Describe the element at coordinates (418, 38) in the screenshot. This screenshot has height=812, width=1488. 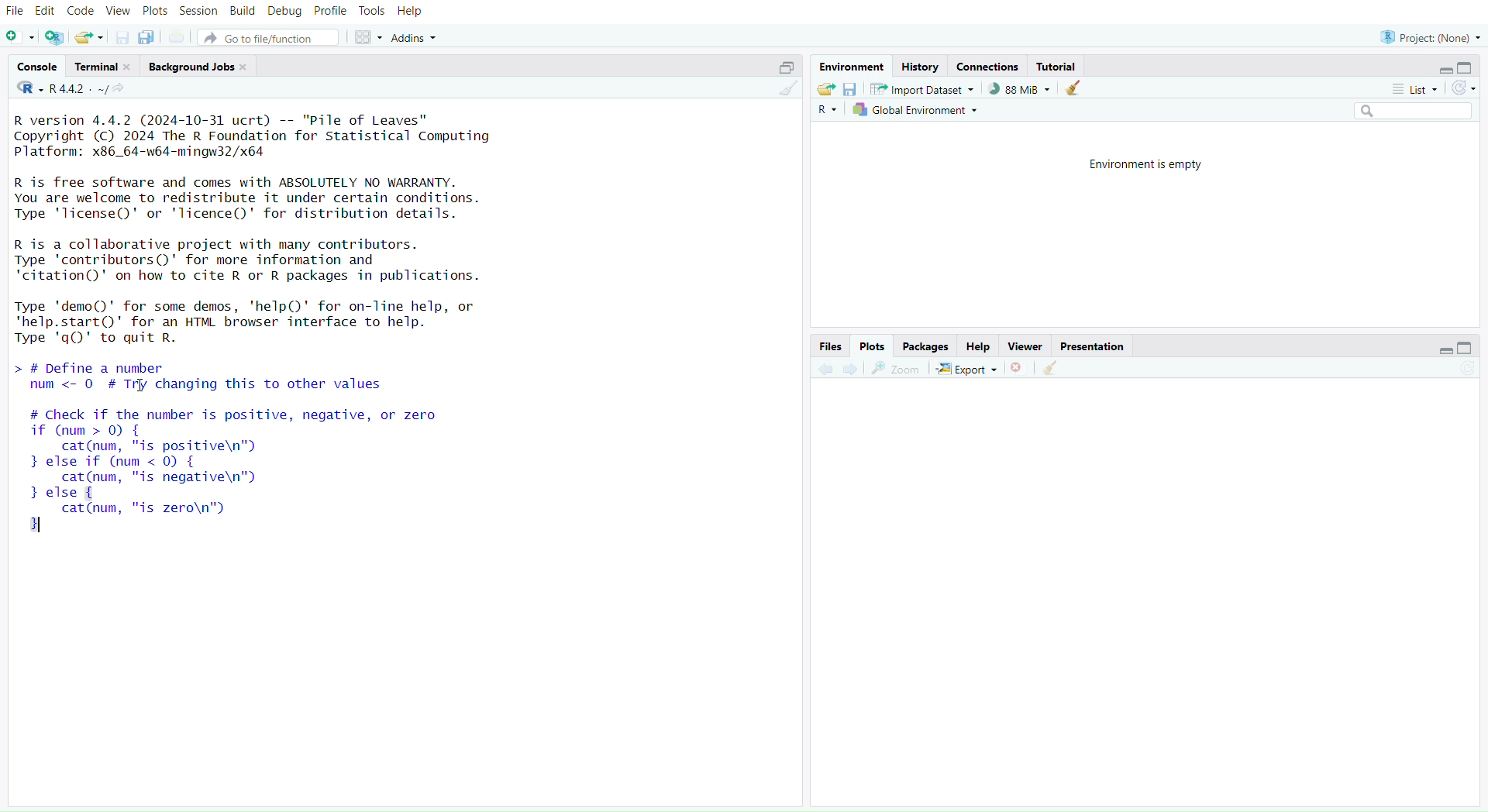
I see `addins` at that location.